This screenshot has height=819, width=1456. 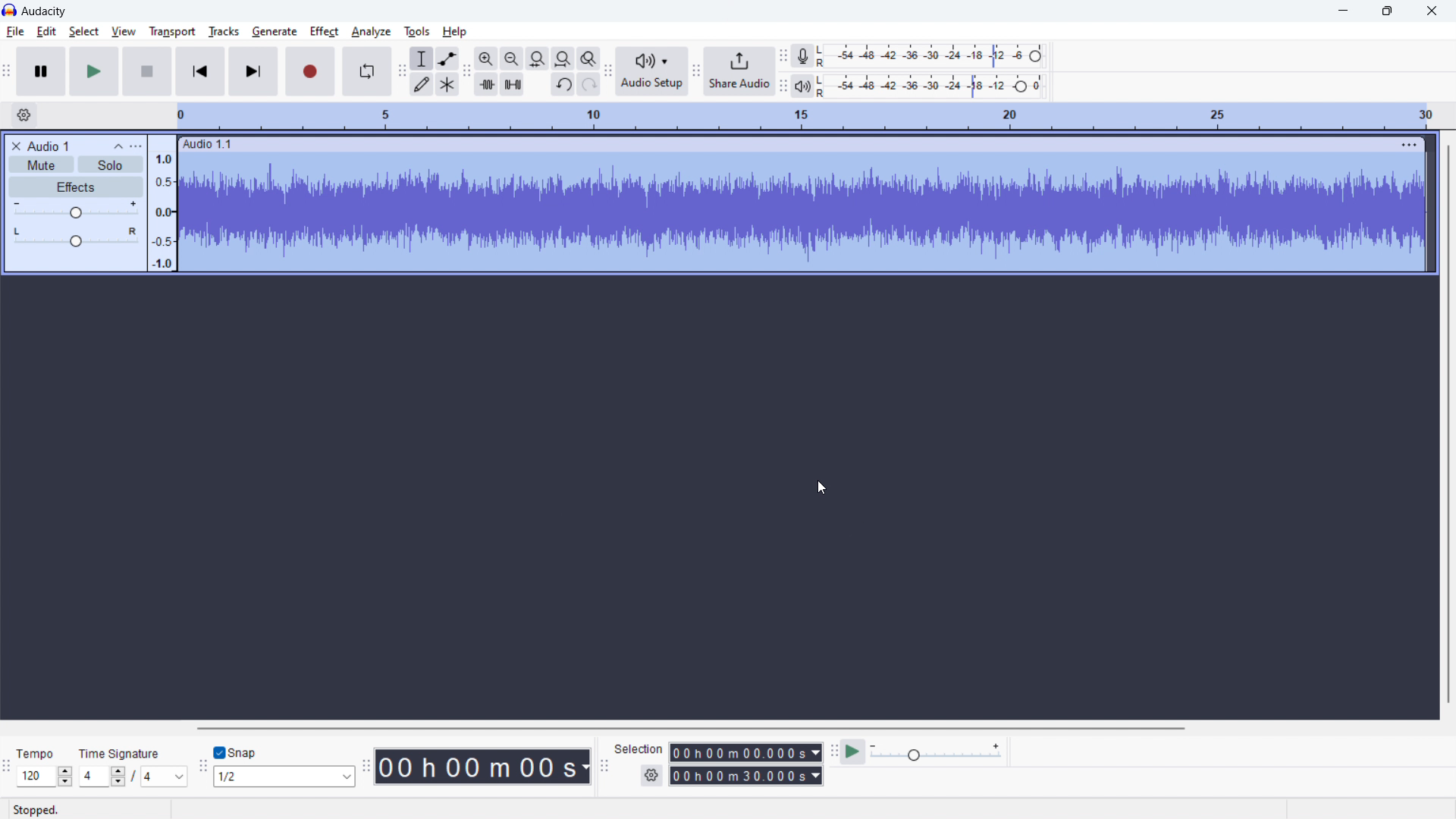 What do you see at coordinates (417, 30) in the screenshot?
I see `tools` at bounding box center [417, 30].